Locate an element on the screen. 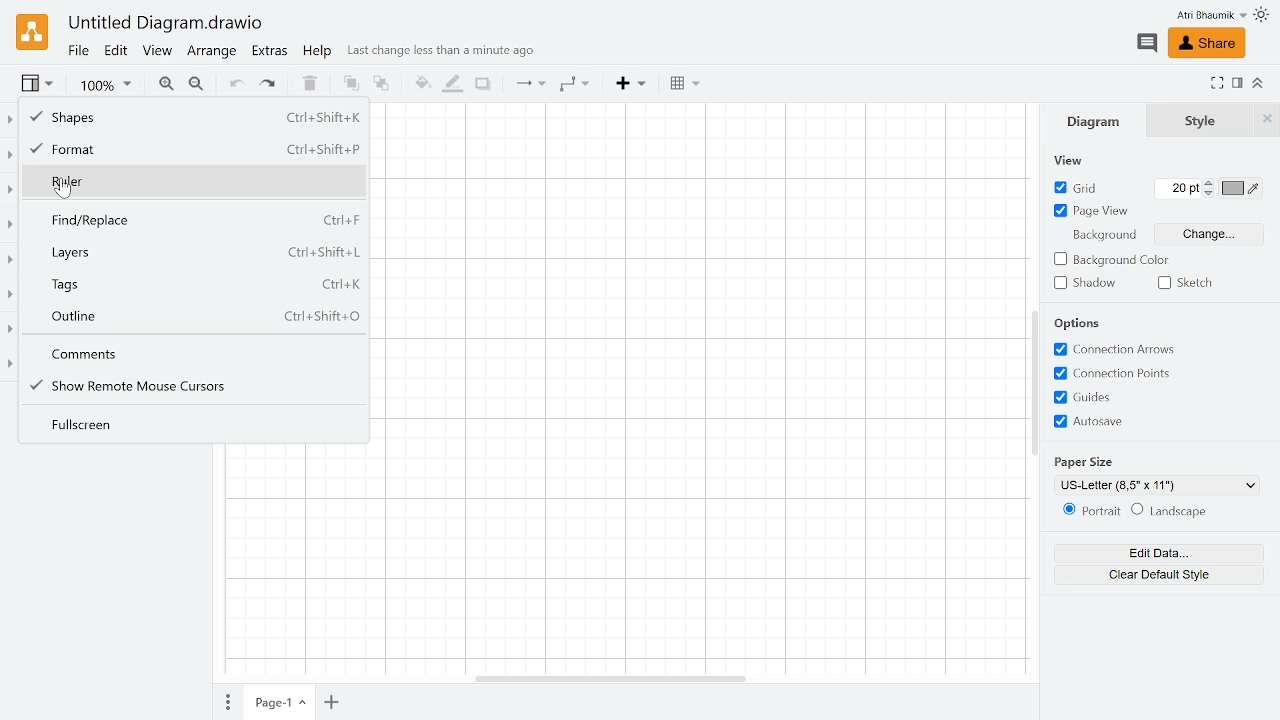 The height and width of the screenshot is (720, 1280). Outline is located at coordinates (185, 317).